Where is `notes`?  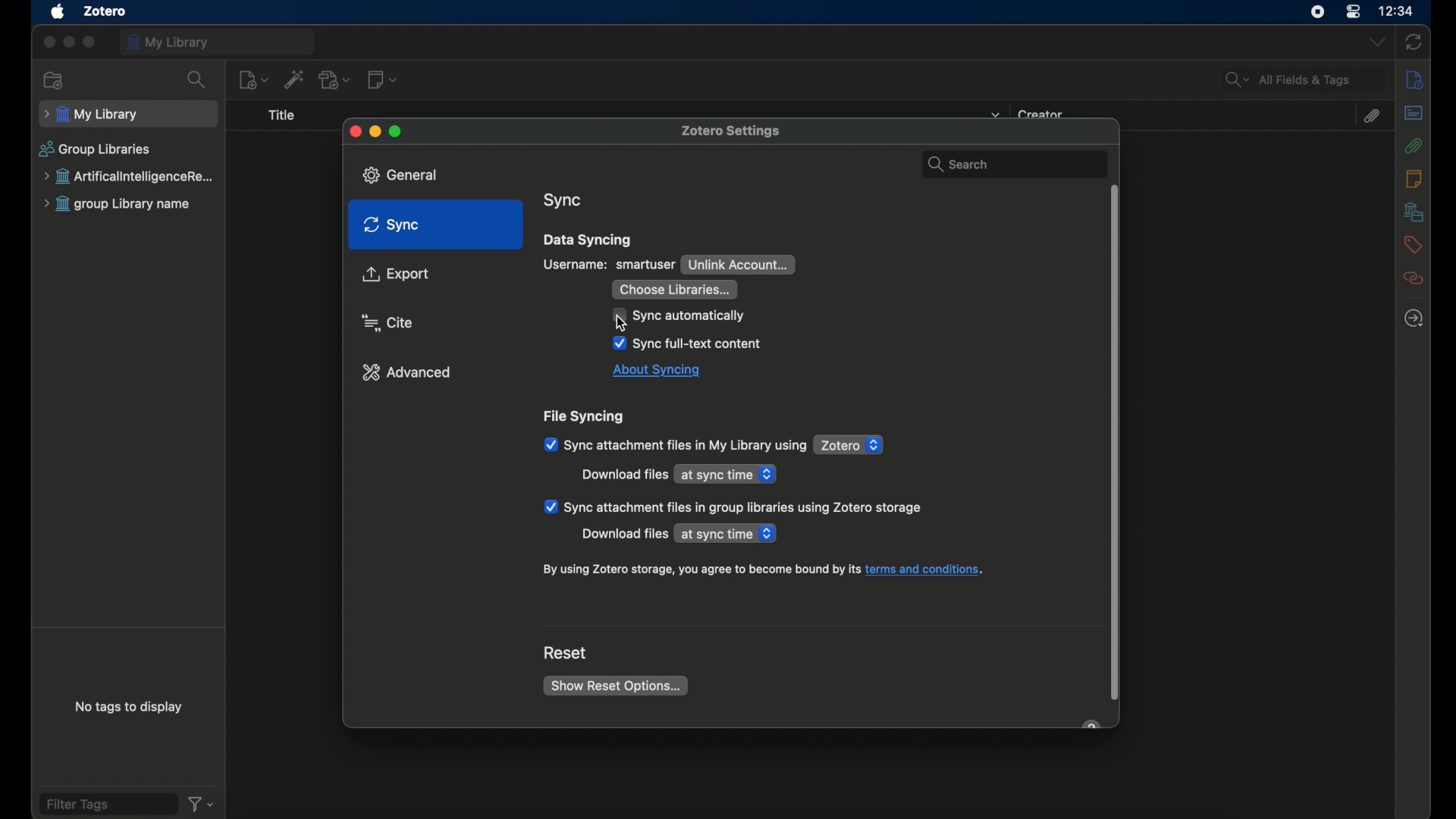 notes is located at coordinates (1415, 179).